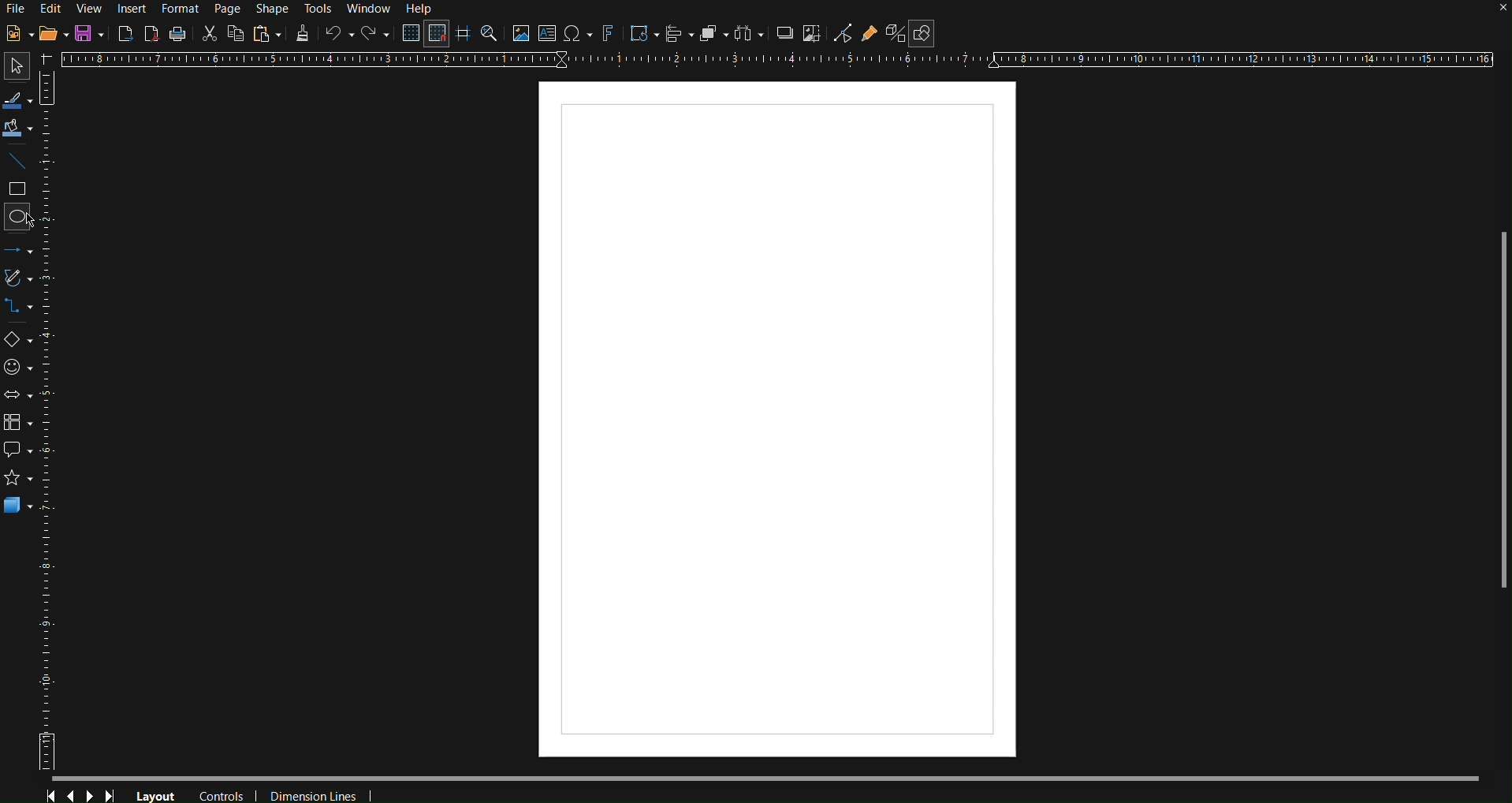  What do you see at coordinates (642, 35) in the screenshot?
I see `Transformations` at bounding box center [642, 35].